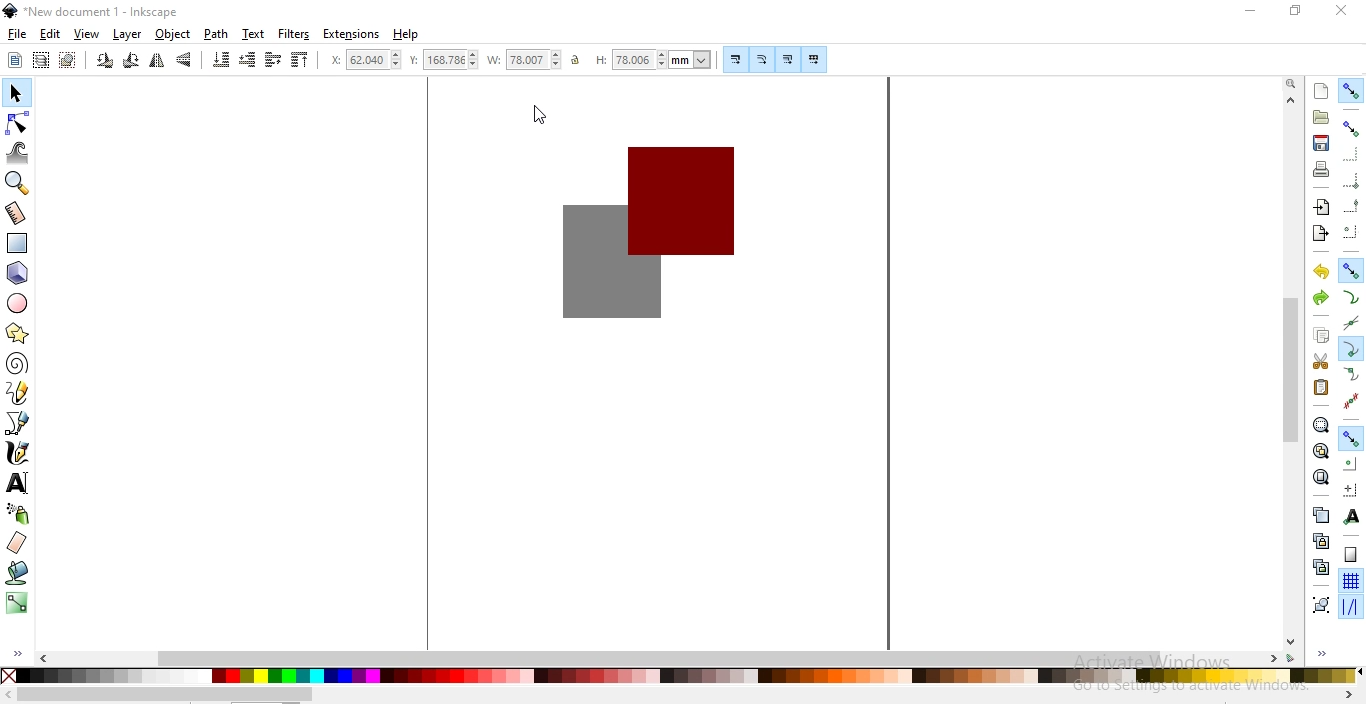 The height and width of the screenshot is (704, 1366). What do you see at coordinates (16, 95) in the screenshot?
I see `select and transform objects` at bounding box center [16, 95].